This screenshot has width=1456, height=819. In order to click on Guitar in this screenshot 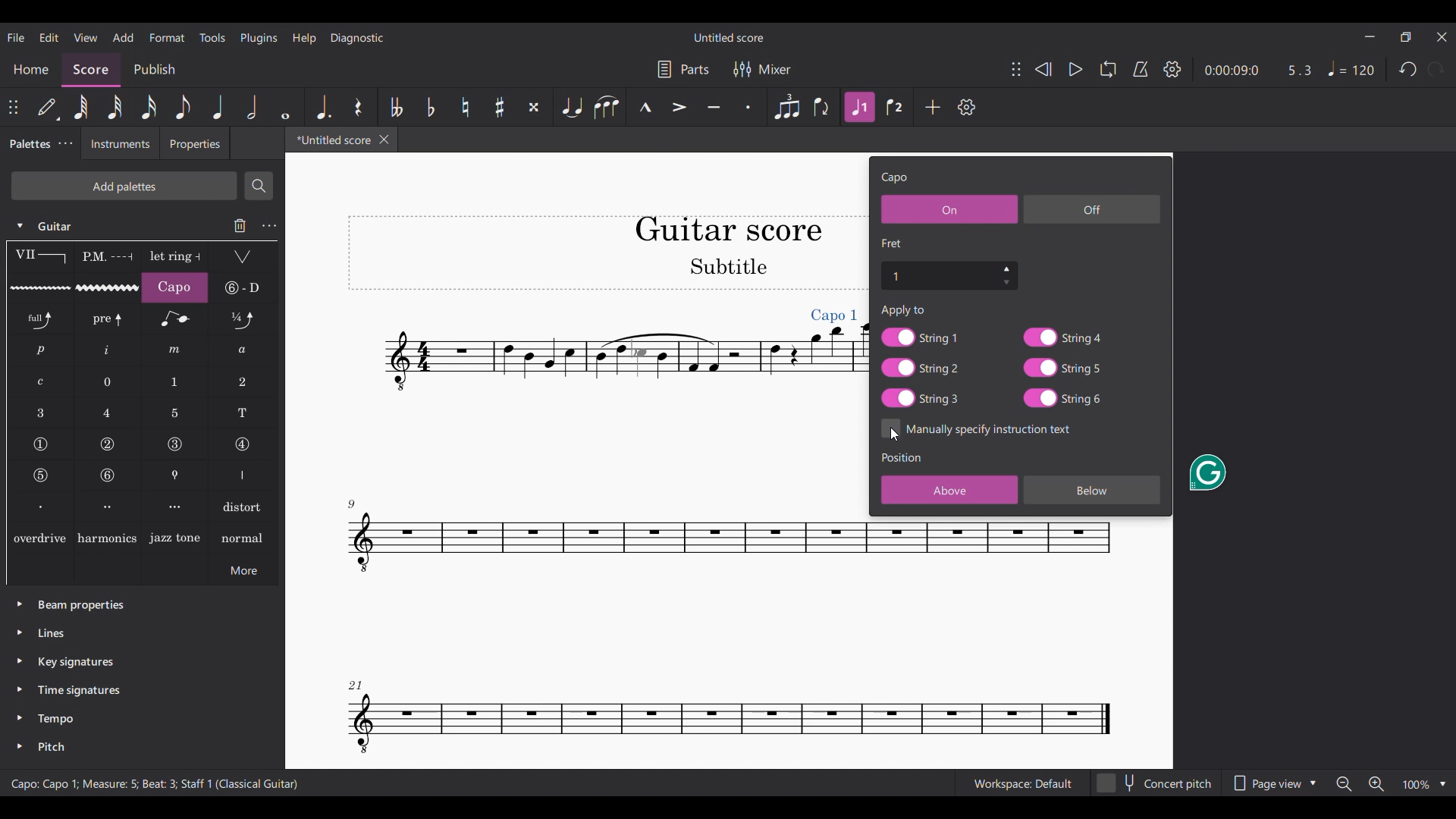, I will do `click(58, 226)`.